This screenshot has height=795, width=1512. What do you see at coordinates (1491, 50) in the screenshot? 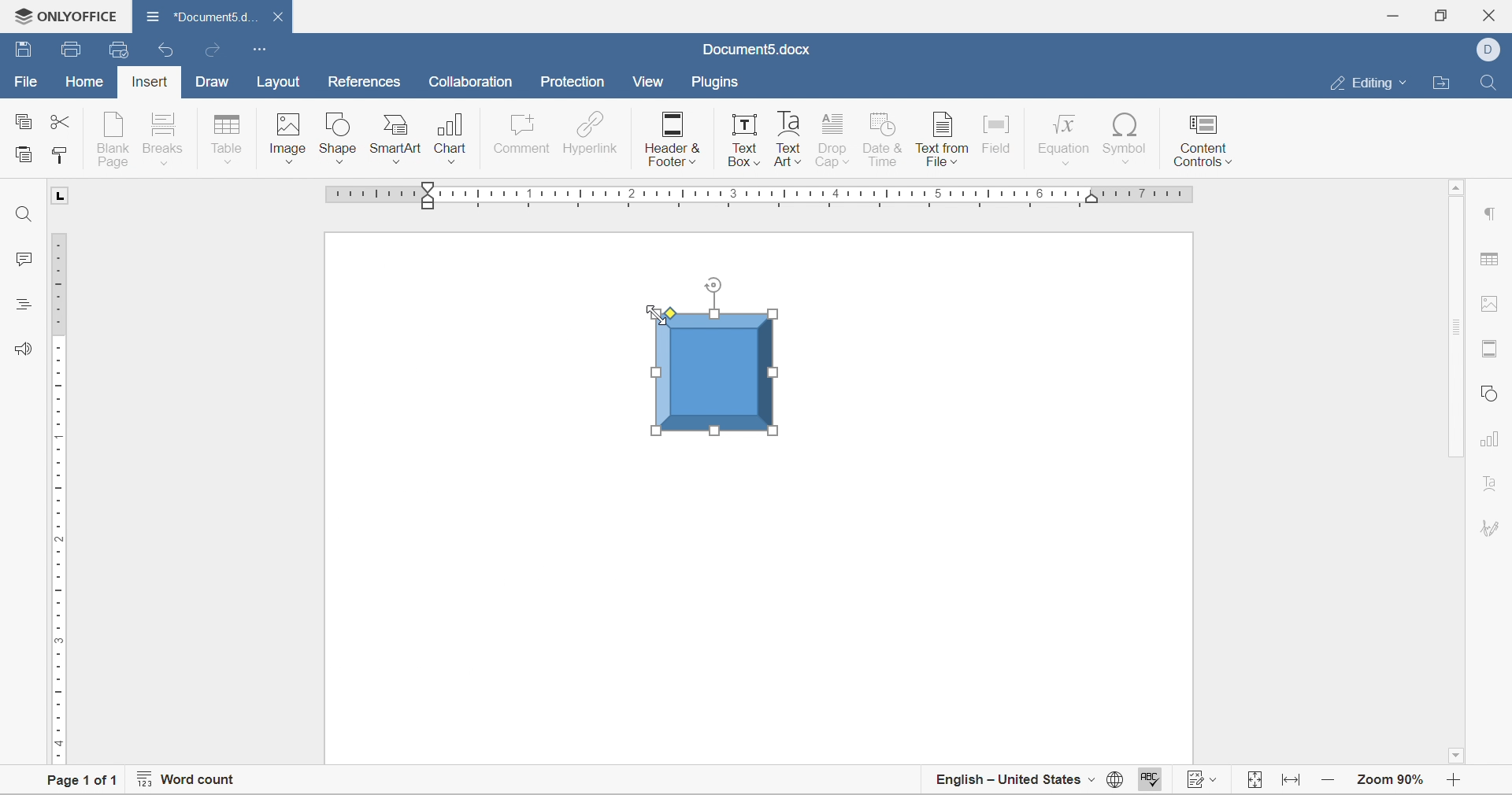
I see `dell` at bounding box center [1491, 50].